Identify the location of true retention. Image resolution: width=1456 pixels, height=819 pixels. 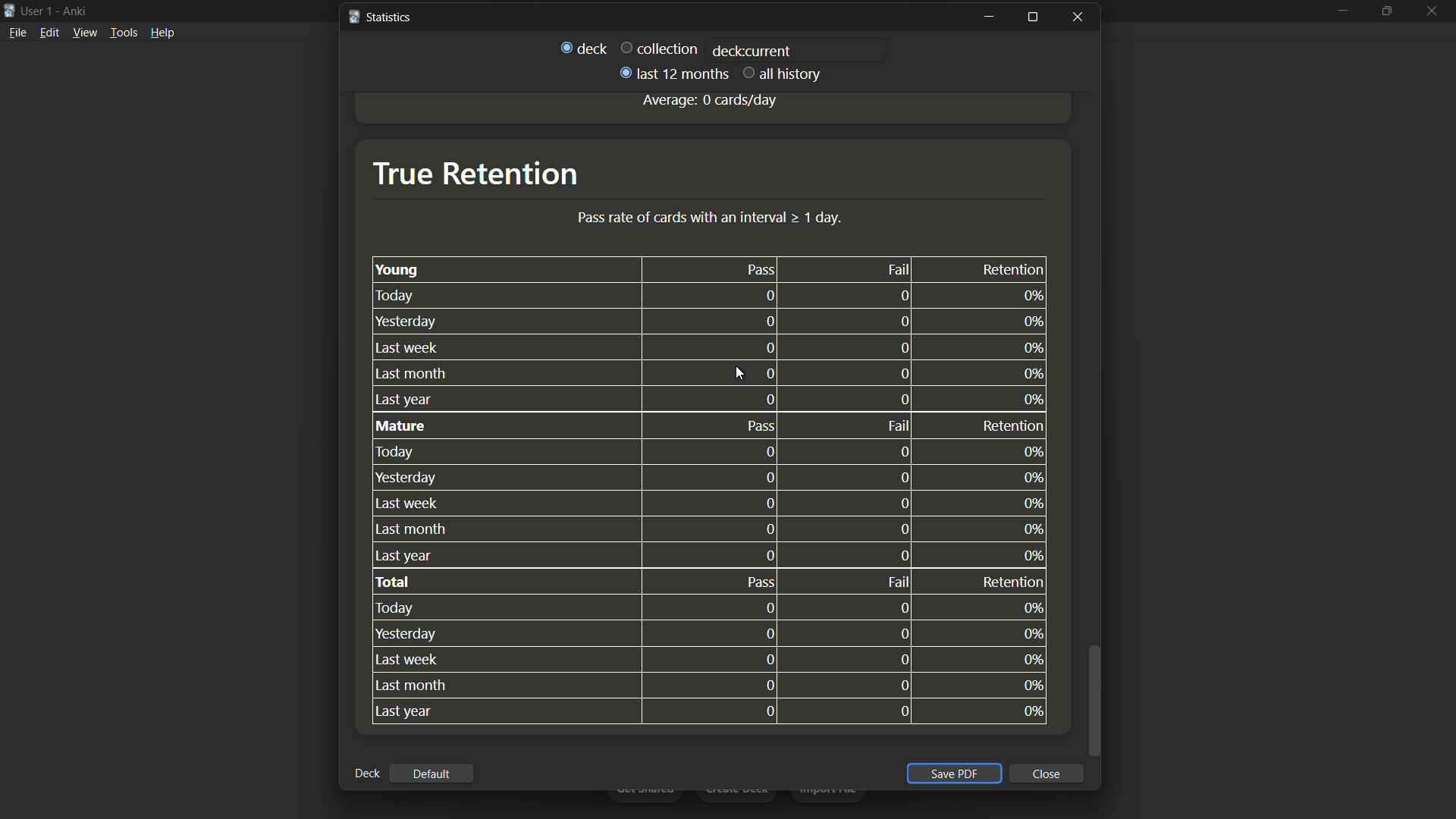
(475, 173).